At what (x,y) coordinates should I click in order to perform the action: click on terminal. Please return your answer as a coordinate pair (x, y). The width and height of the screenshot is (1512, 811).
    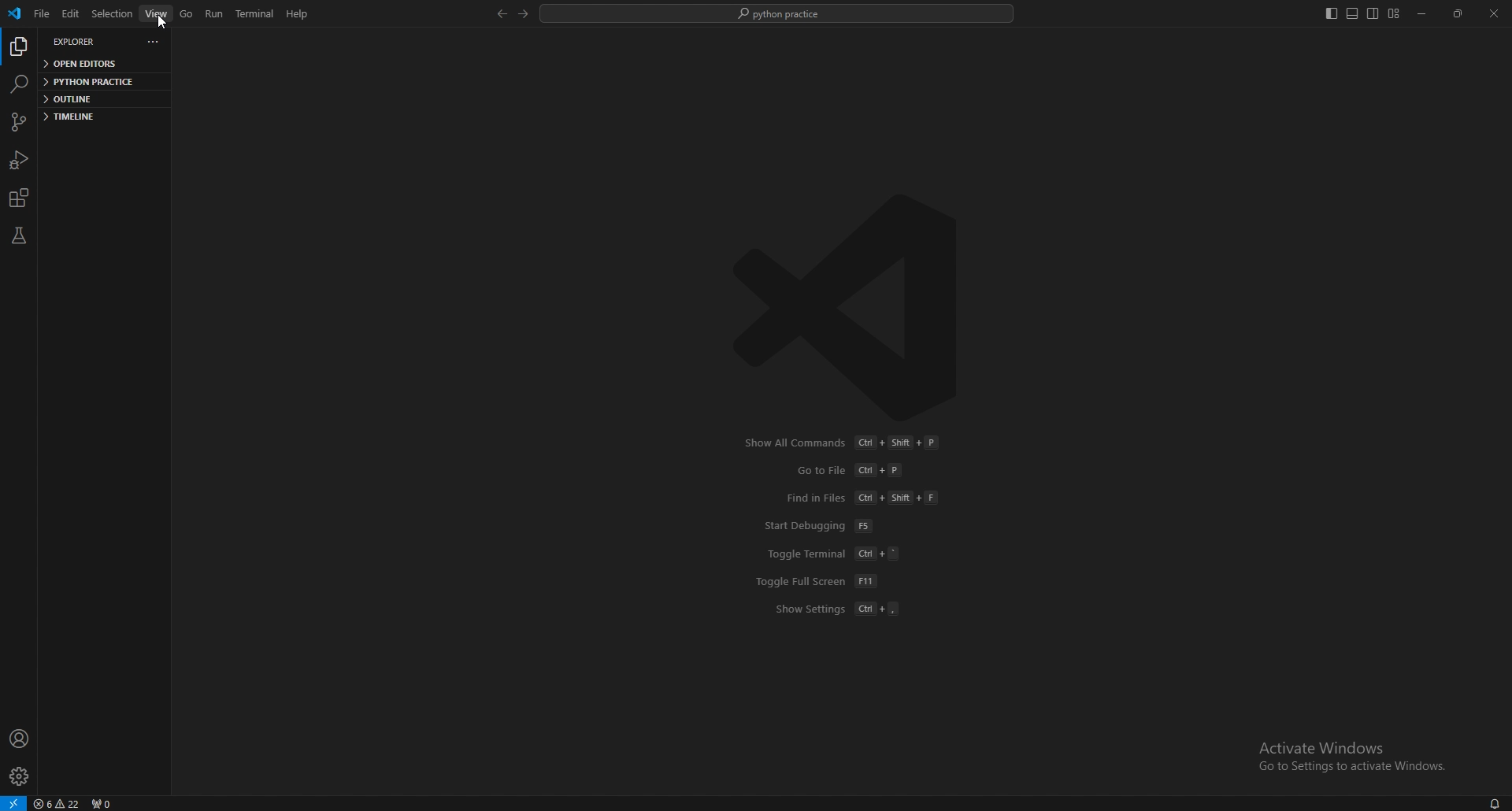
    Looking at the image, I should click on (254, 14).